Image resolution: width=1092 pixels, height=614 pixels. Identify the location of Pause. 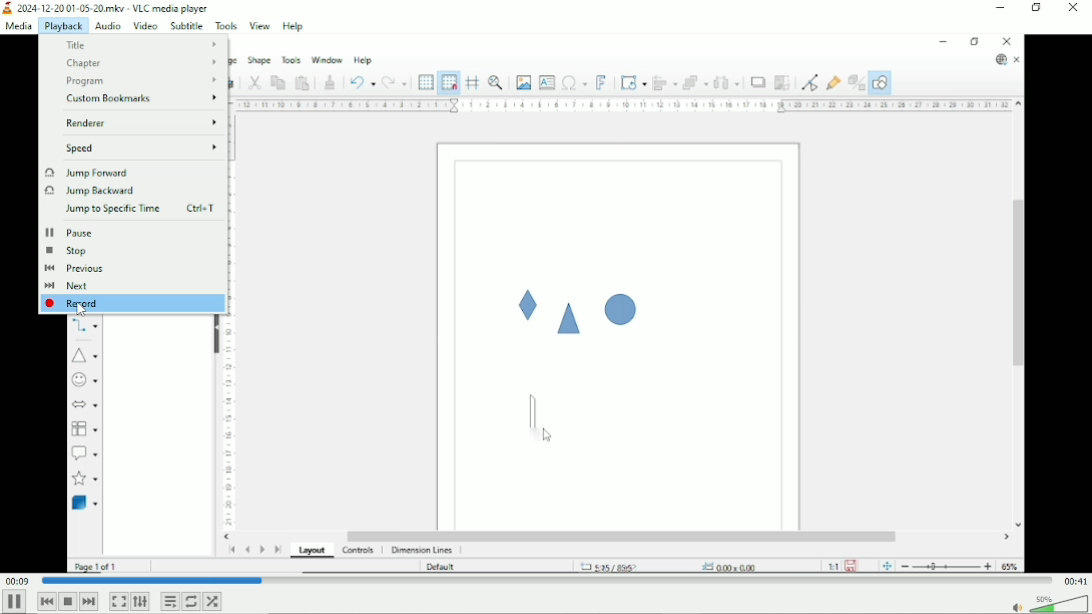
(128, 233).